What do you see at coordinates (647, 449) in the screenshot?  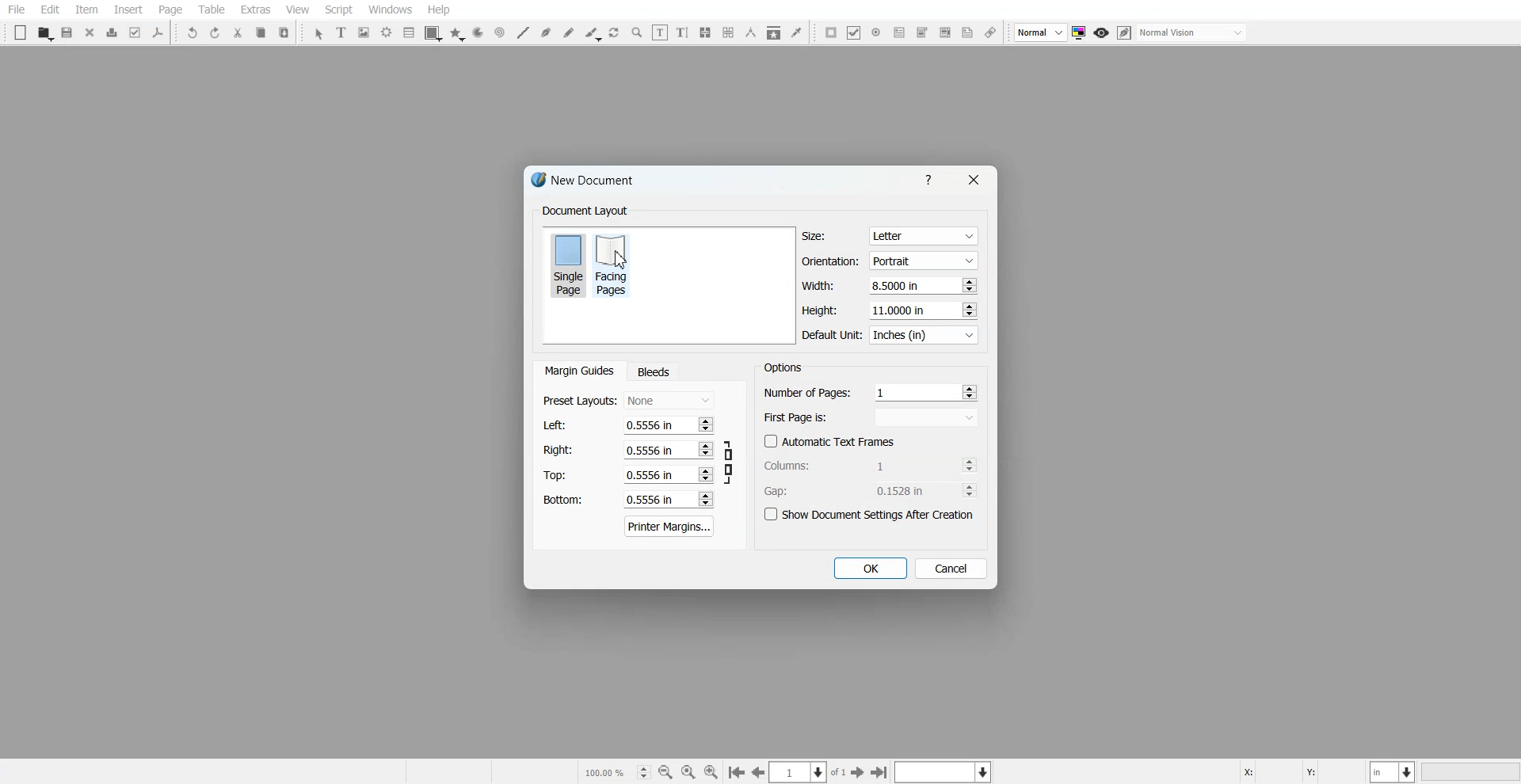 I see `0.5556 in` at bounding box center [647, 449].